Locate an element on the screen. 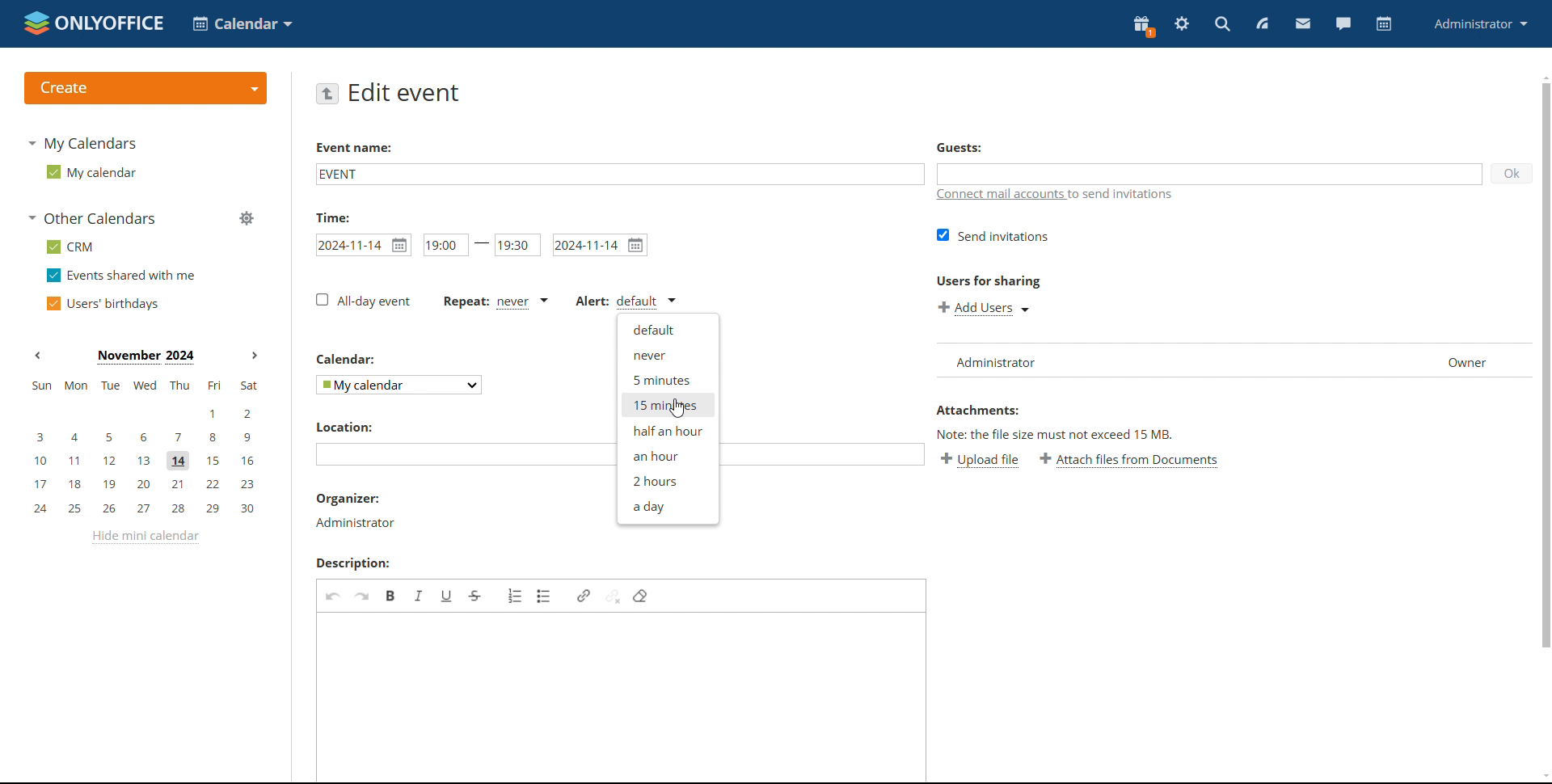 The image size is (1552, 784). guest: is located at coordinates (970, 149).